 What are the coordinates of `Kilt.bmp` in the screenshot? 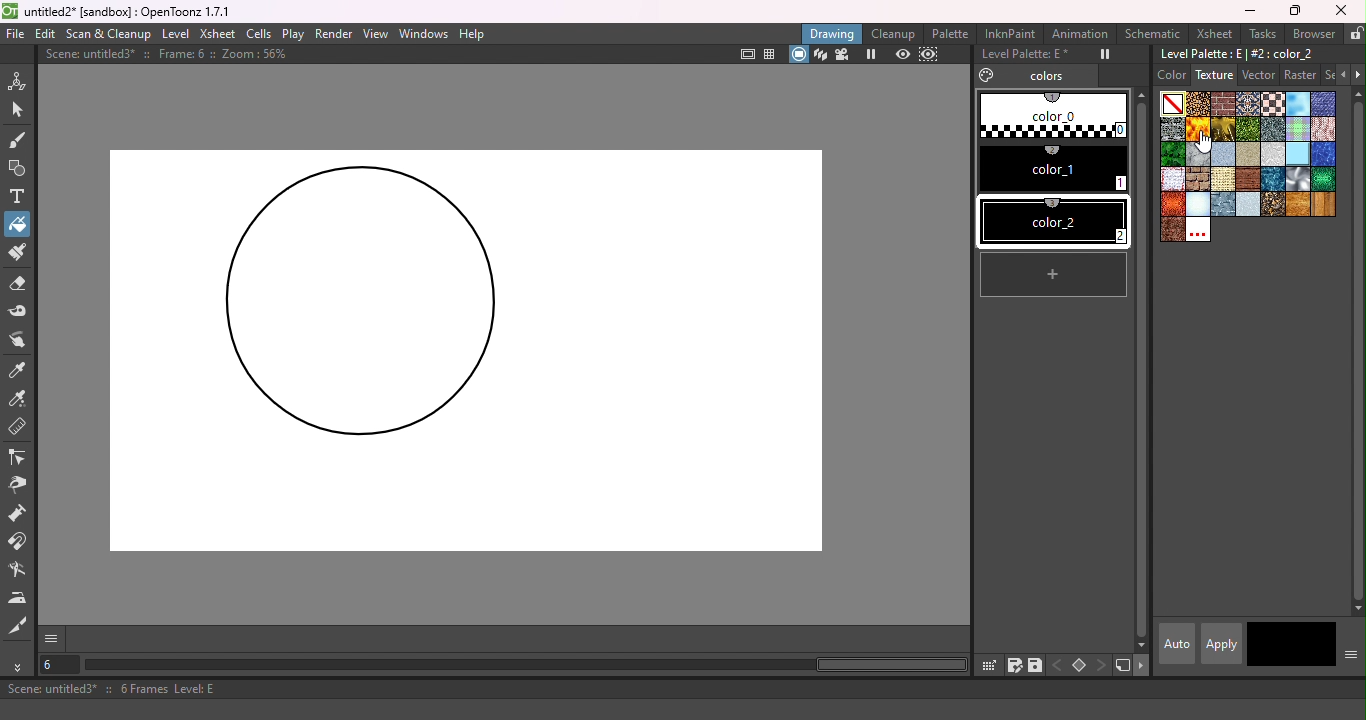 It's located at (1297, 129).